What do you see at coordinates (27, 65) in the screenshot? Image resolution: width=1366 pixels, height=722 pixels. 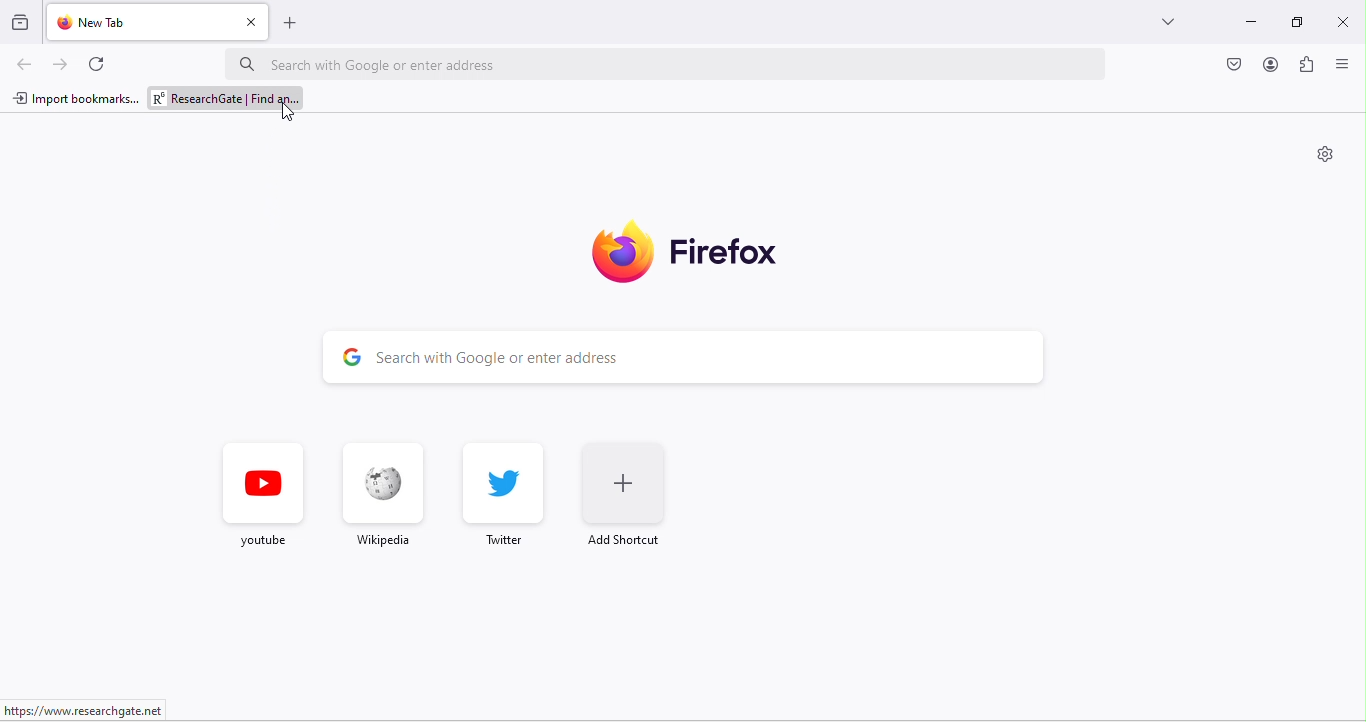 I see `back` at bounding box center [27, 65].